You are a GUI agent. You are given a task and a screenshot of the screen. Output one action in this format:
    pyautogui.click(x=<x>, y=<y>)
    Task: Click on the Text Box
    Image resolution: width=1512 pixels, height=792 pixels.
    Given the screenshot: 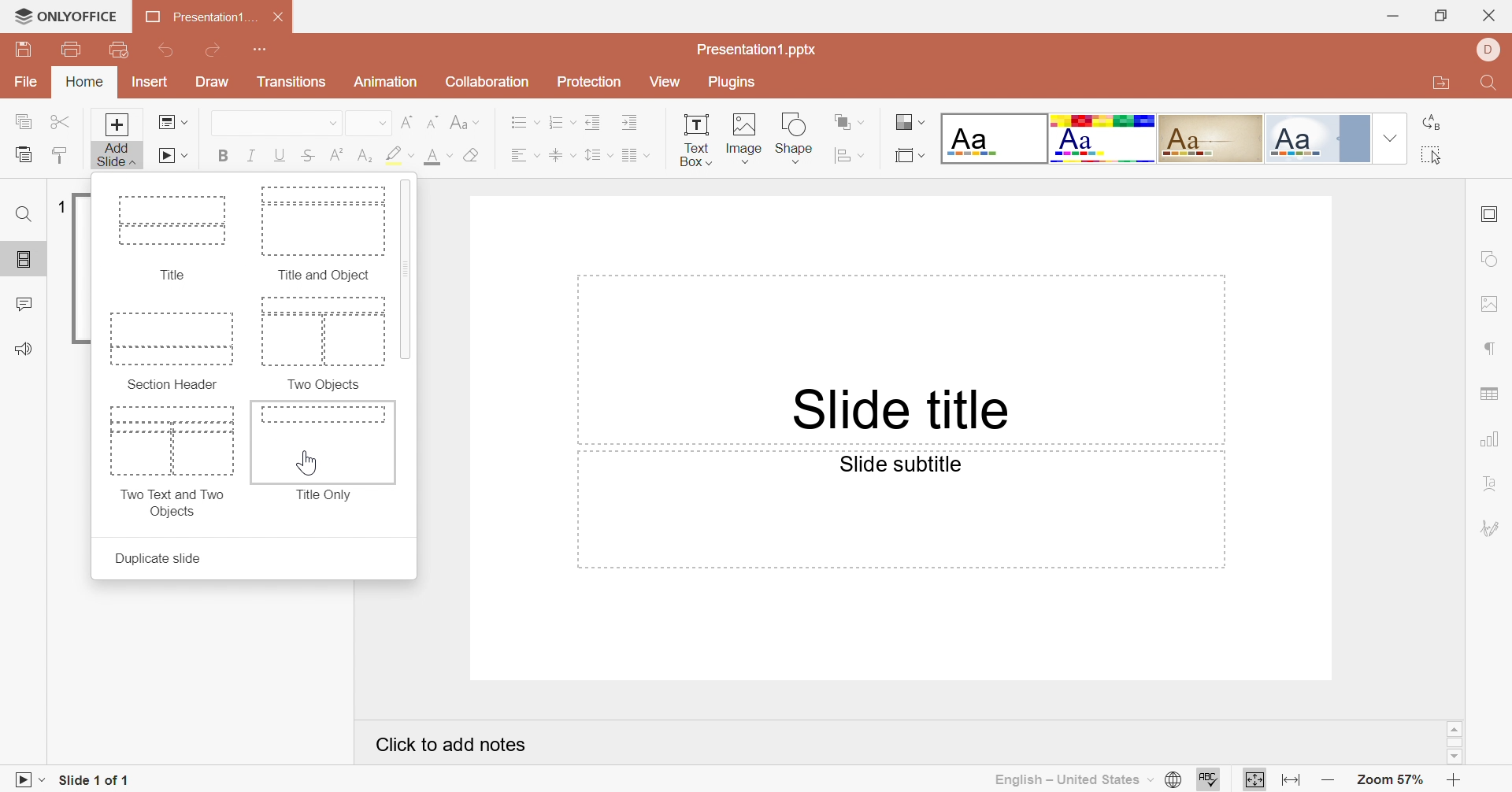 What is the action you would take?
    pyautogui.click(x=697, y=139)
    